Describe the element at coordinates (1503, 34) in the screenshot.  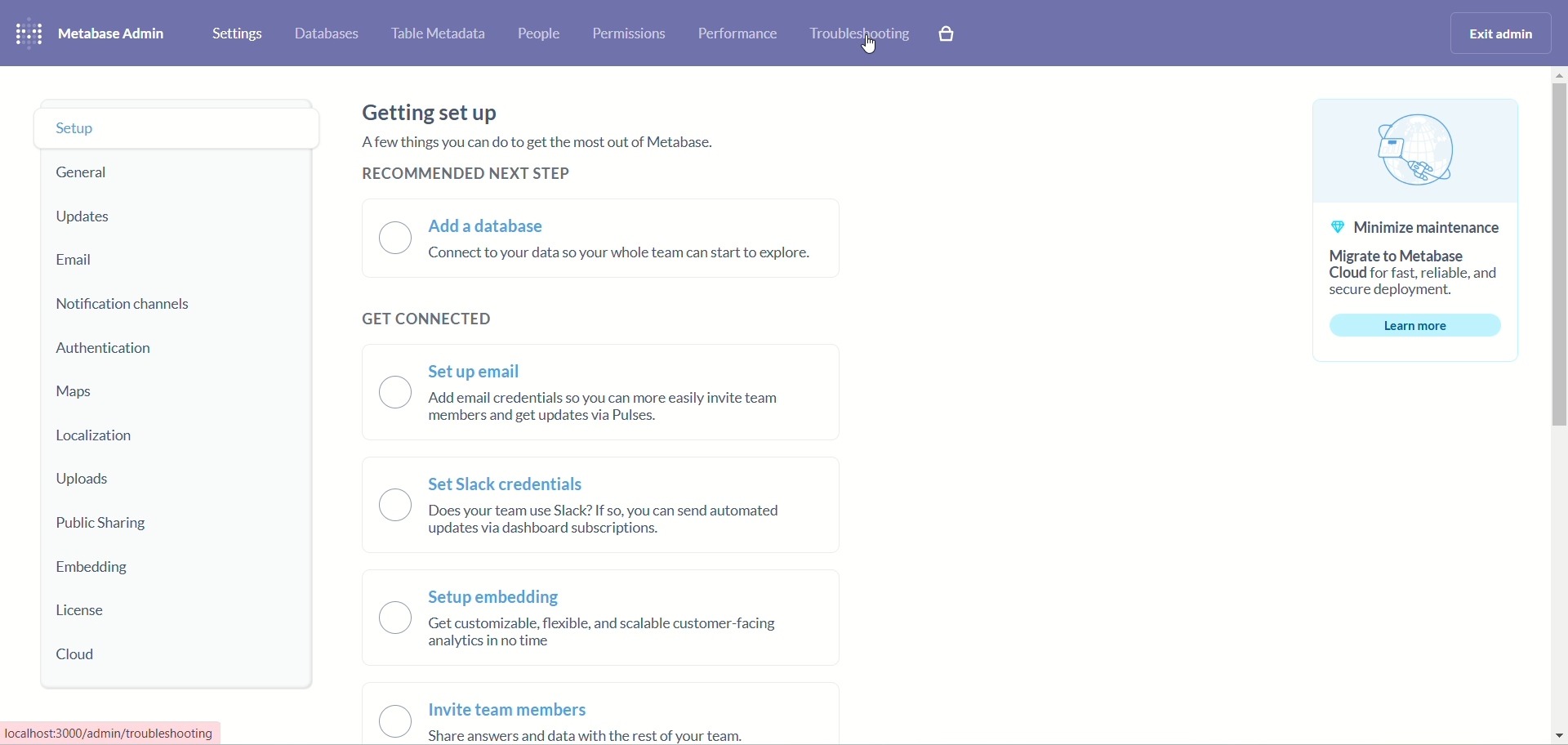
I see `exit admin` at that location.